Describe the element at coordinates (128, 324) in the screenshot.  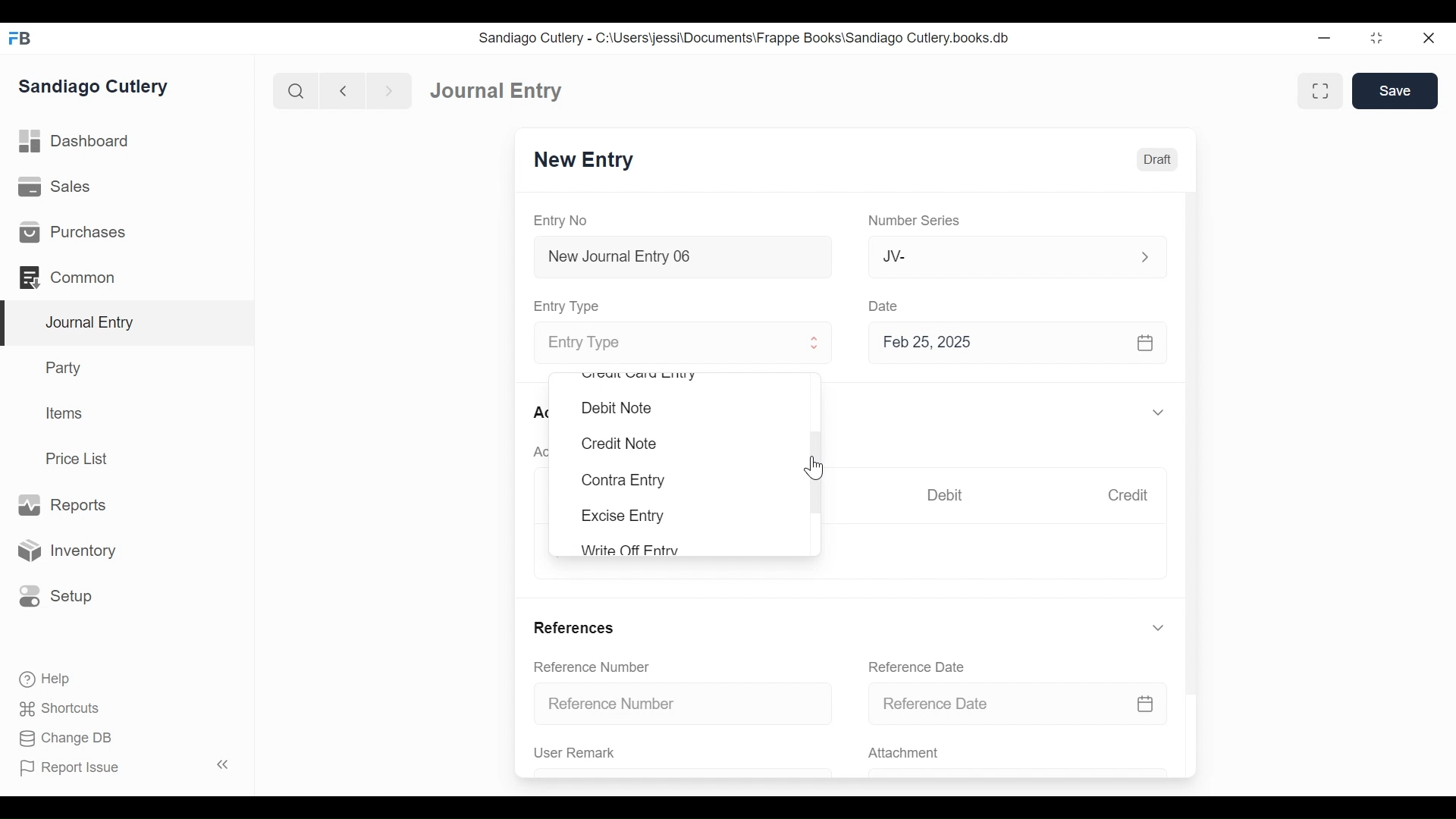
I see `Journal Entry` at that location.